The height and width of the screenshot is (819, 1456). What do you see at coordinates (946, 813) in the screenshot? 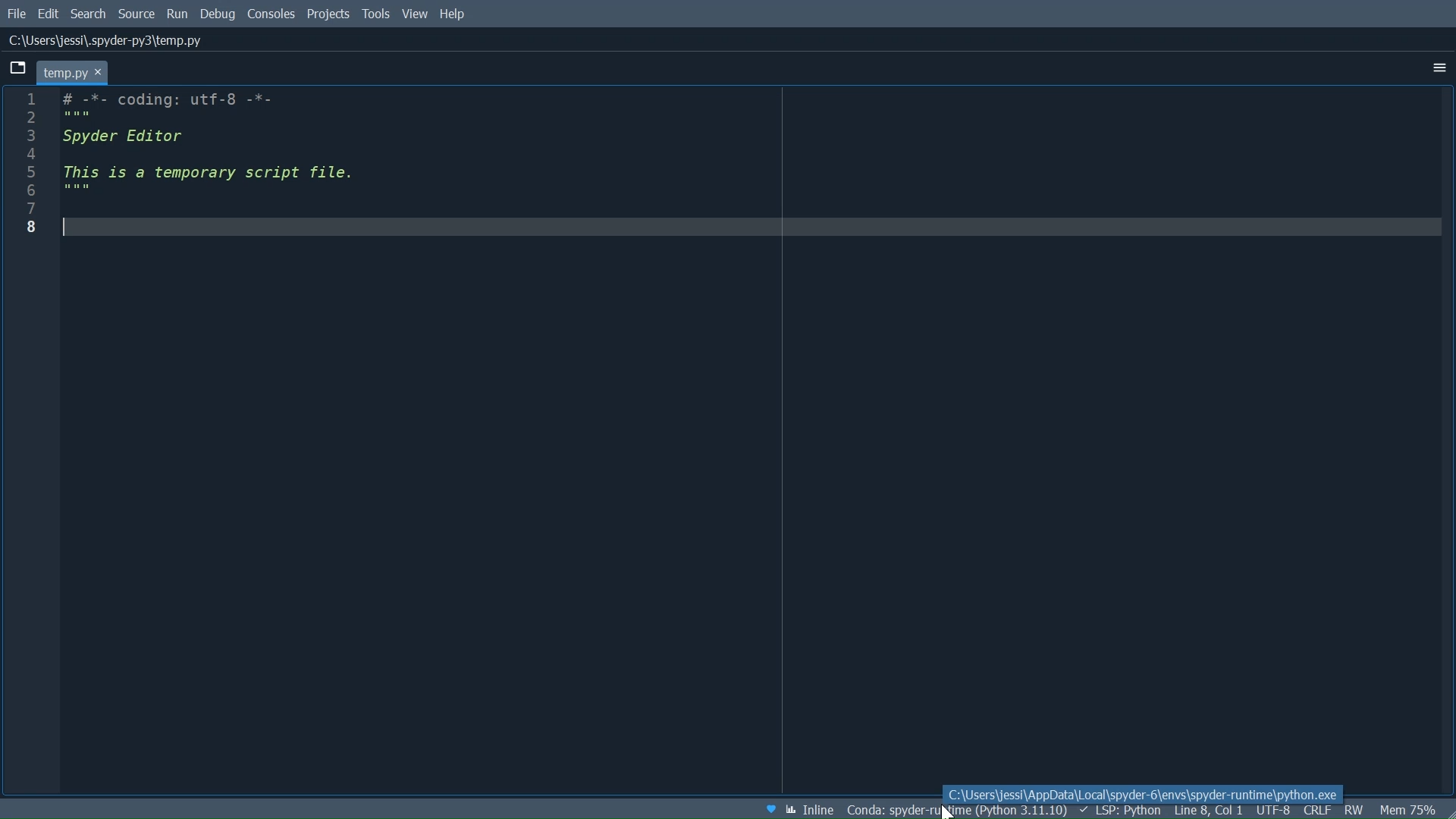
I see `` at bounding box center [946, 813].